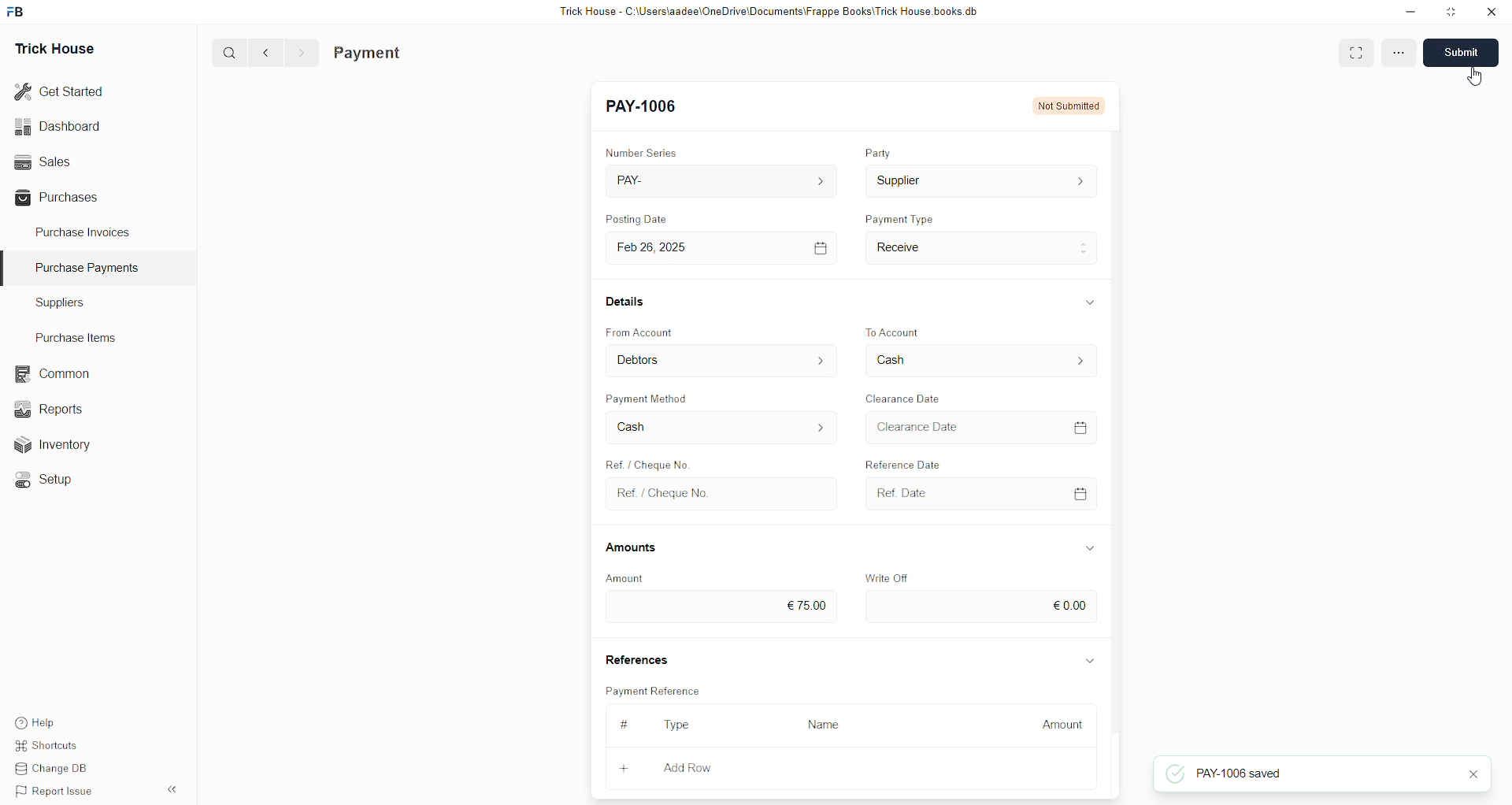 This screenshot has height=805, width=1512. I want to click on Reports, so click(50, 408).